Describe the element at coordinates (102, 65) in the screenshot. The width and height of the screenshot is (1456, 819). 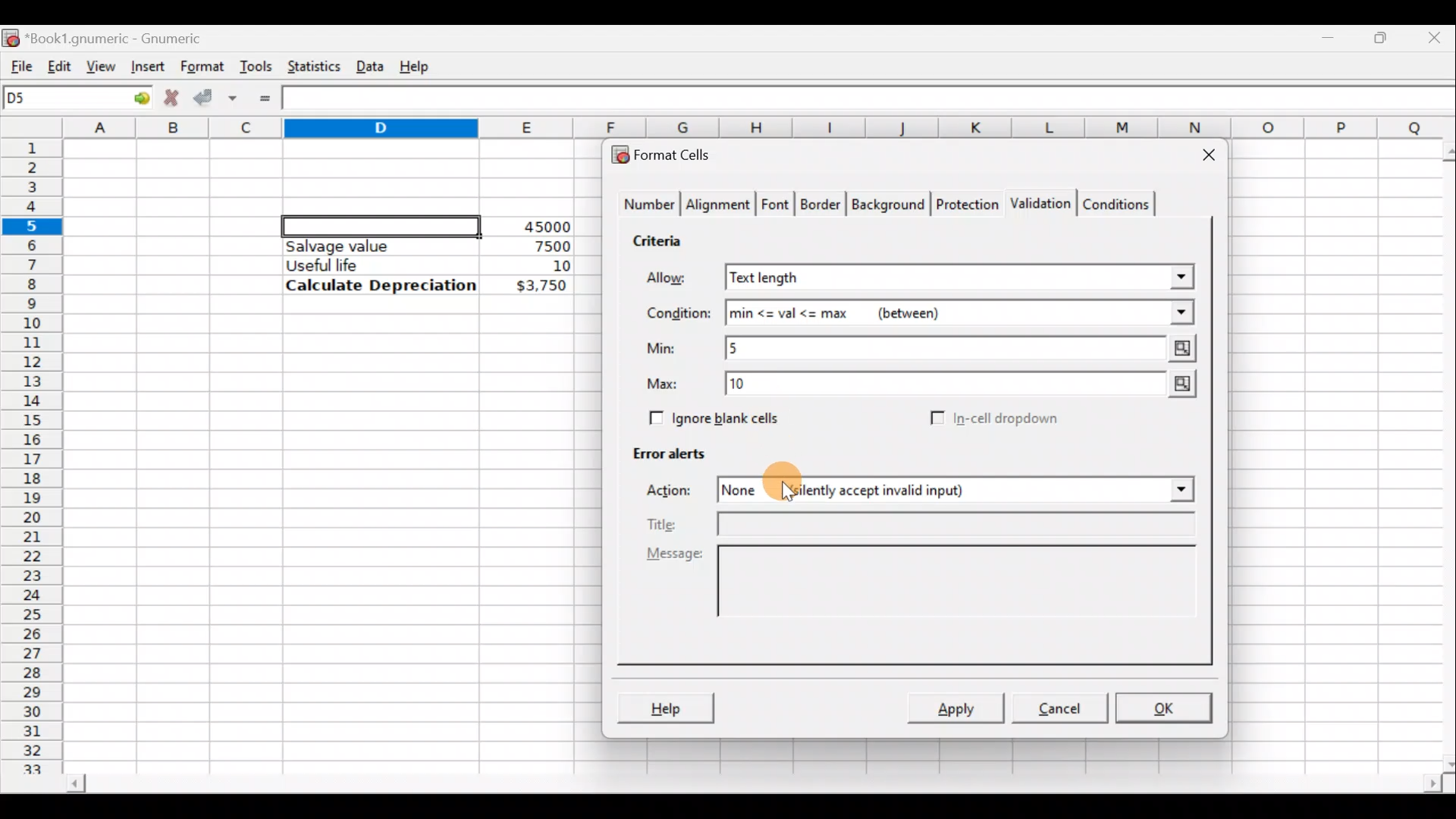
I see `View` at that location.